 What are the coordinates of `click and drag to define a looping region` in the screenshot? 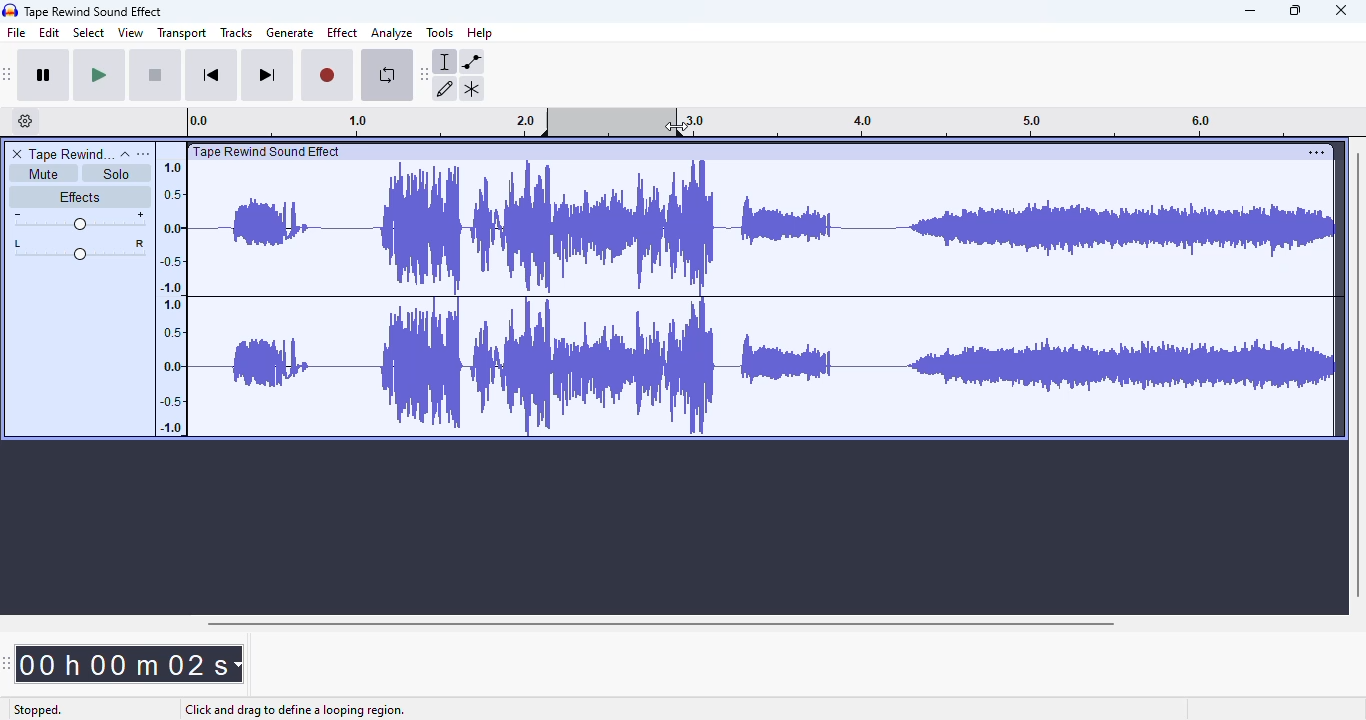 It's located at (295, 710).